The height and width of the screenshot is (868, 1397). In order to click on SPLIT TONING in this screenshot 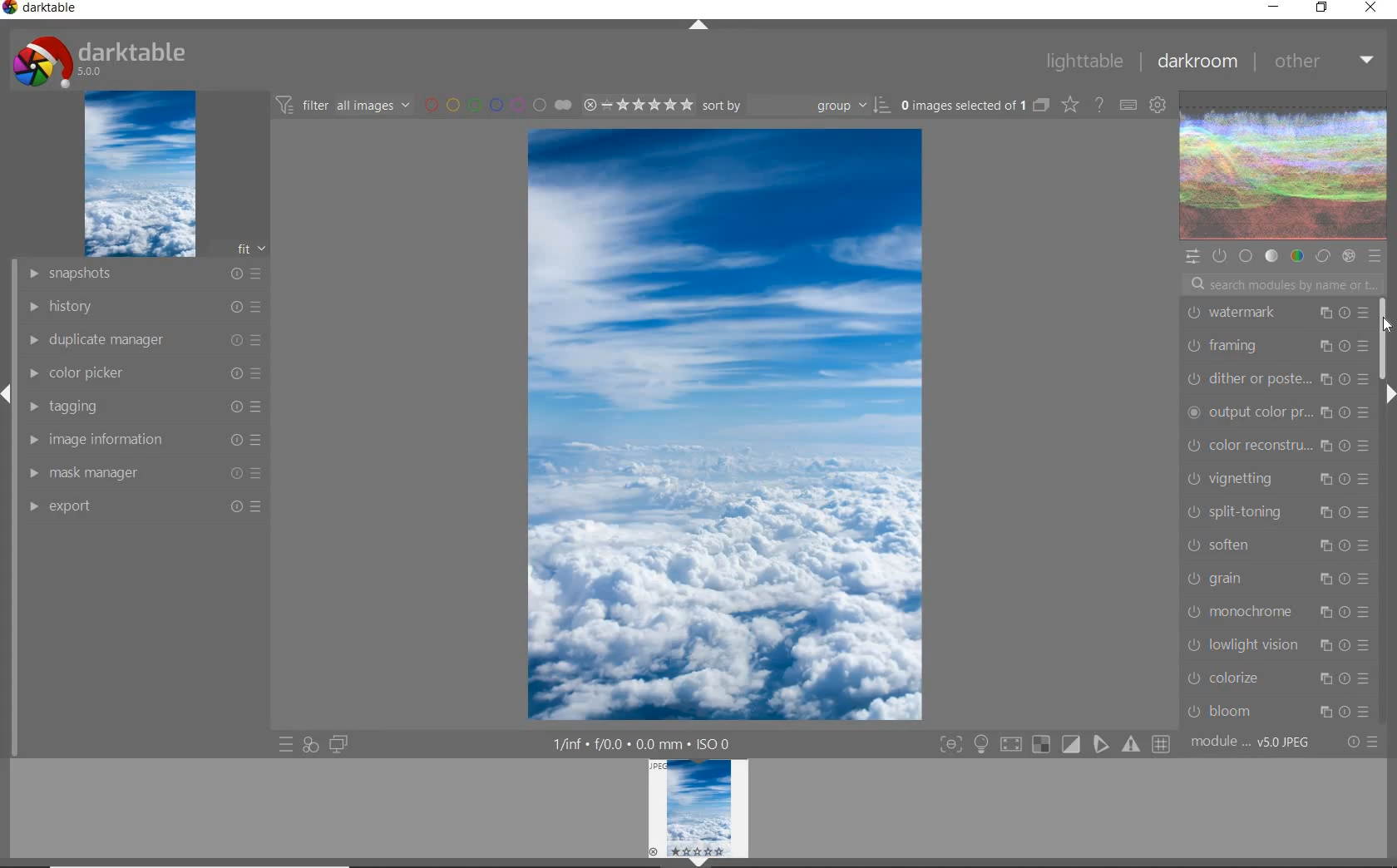, I will do `click(1277, 513)`.